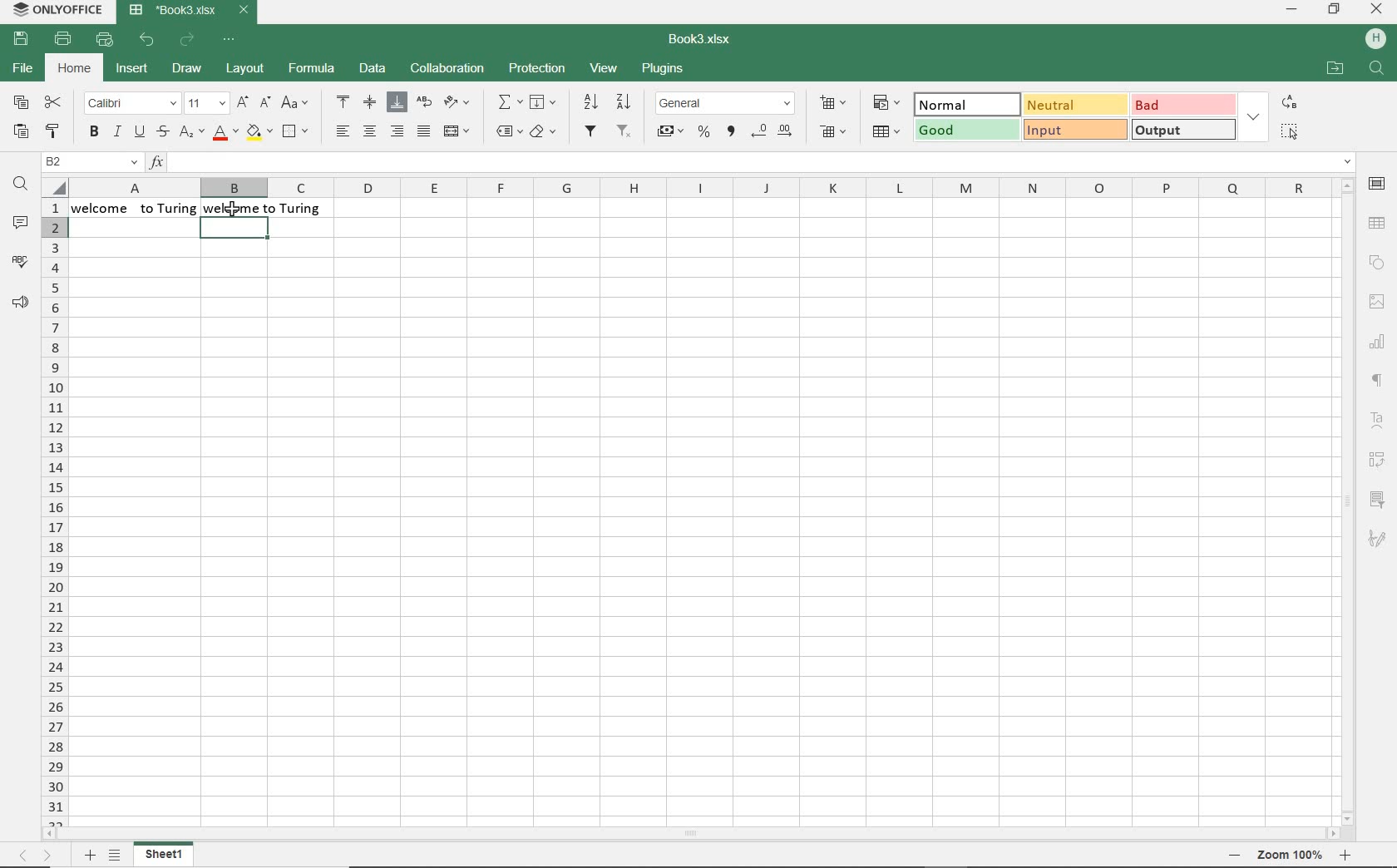 This screenshot has width=1397, height=868. I want to click on copy, so click(21, 102).